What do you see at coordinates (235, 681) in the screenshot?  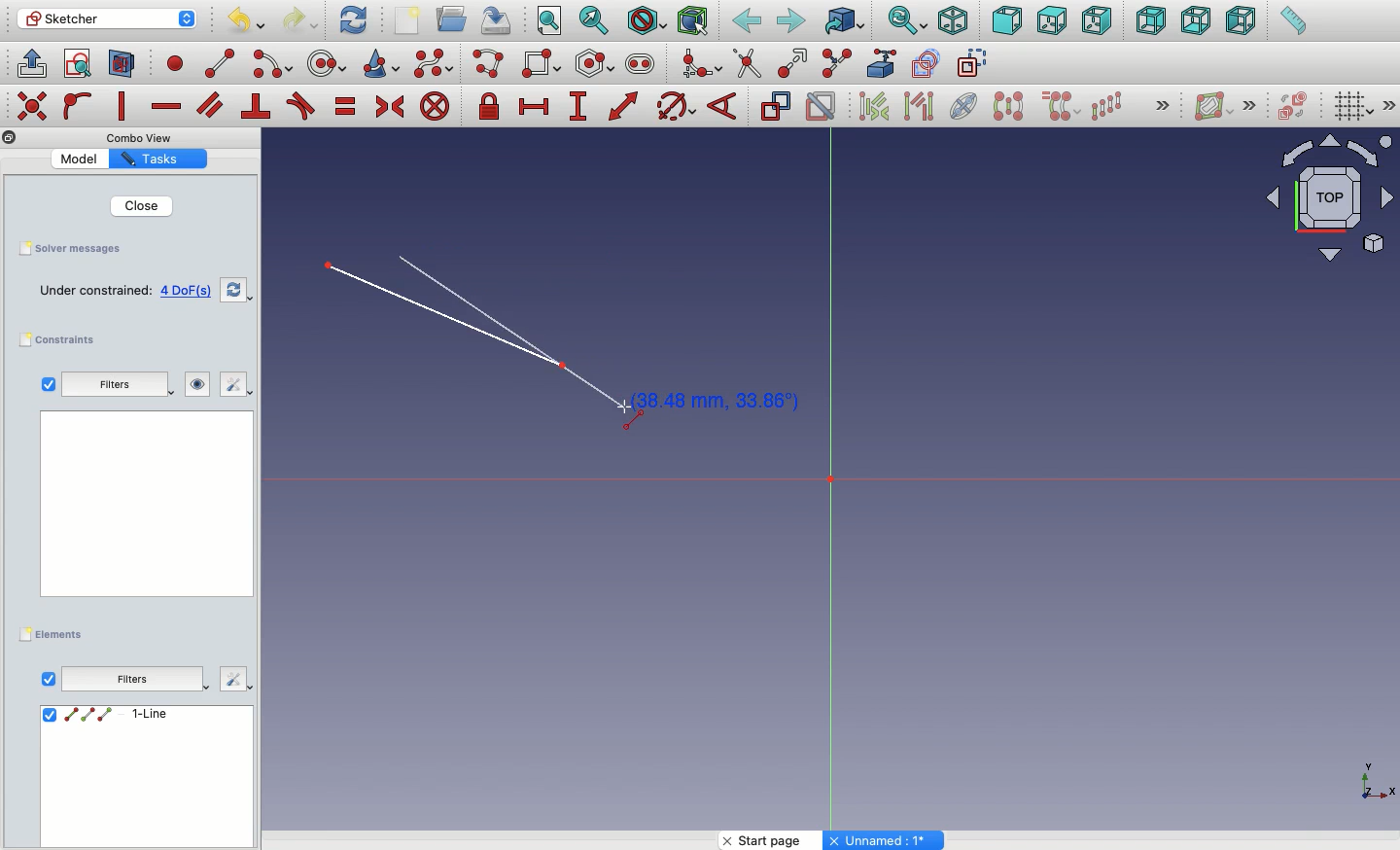 I see `` at bounding box center [235, 681].